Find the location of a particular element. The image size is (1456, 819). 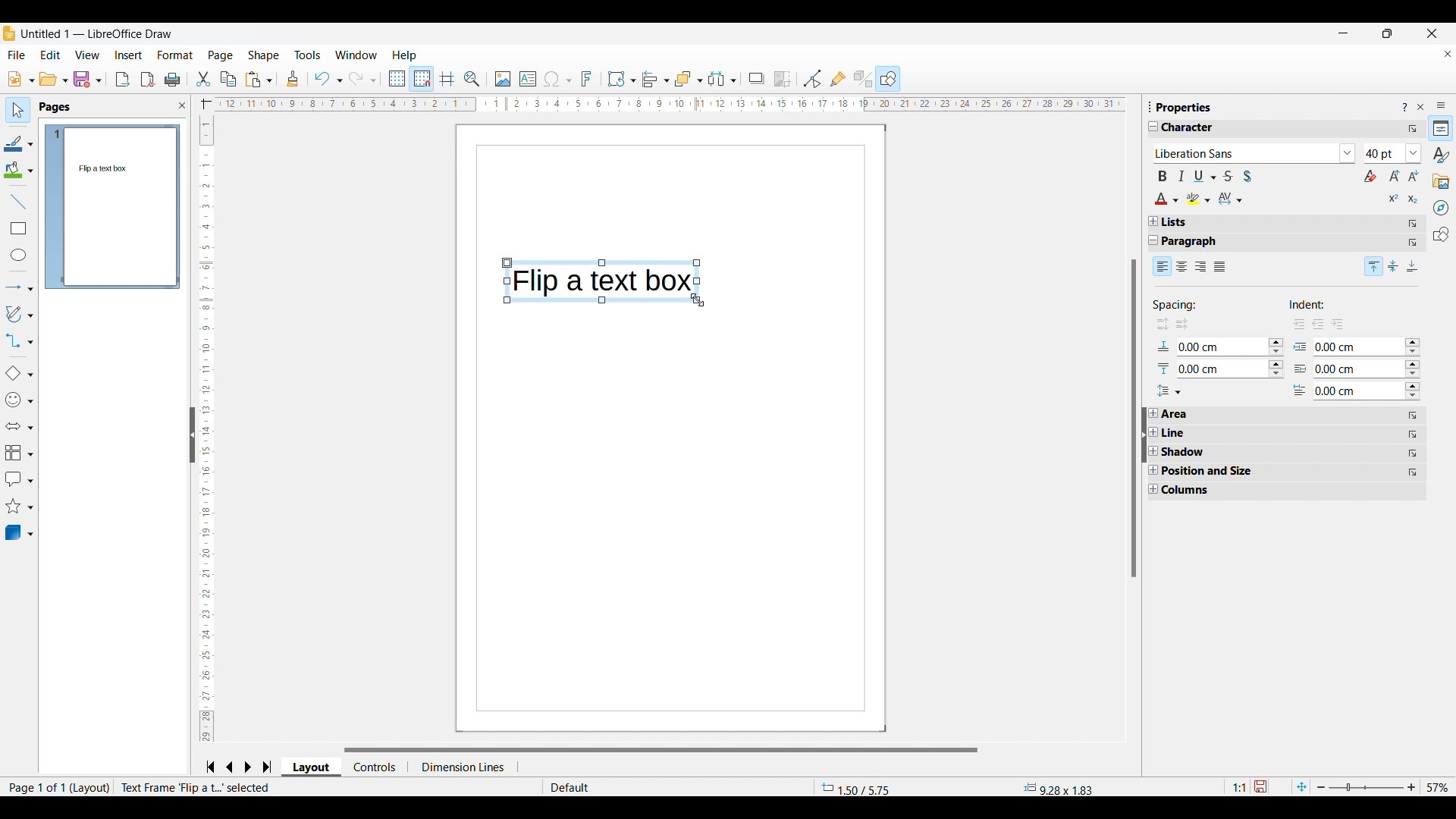

9.28x1.83 is located at coordinates (1058, 788).